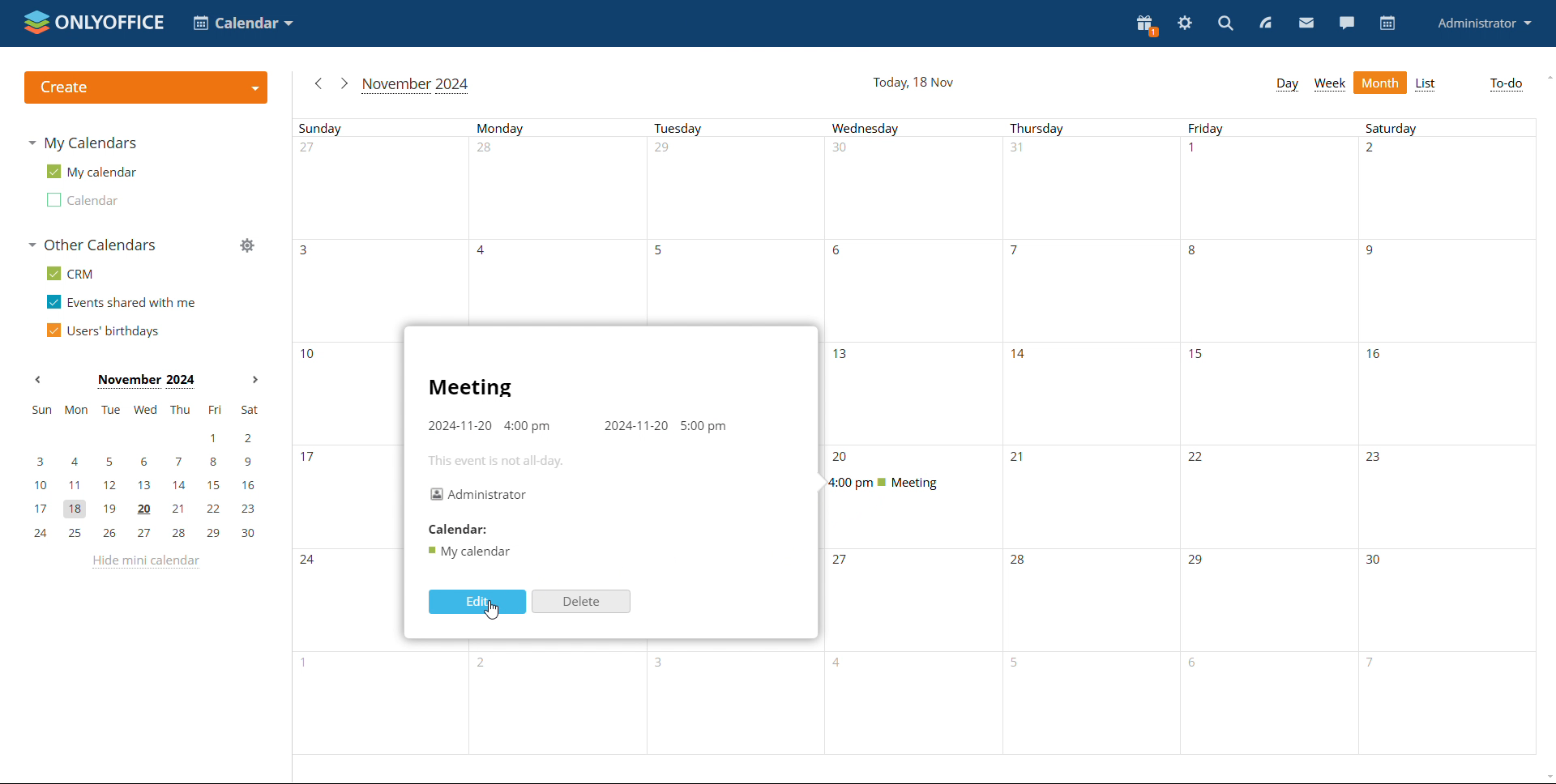  I want to click on feed, so click(1269, 22).